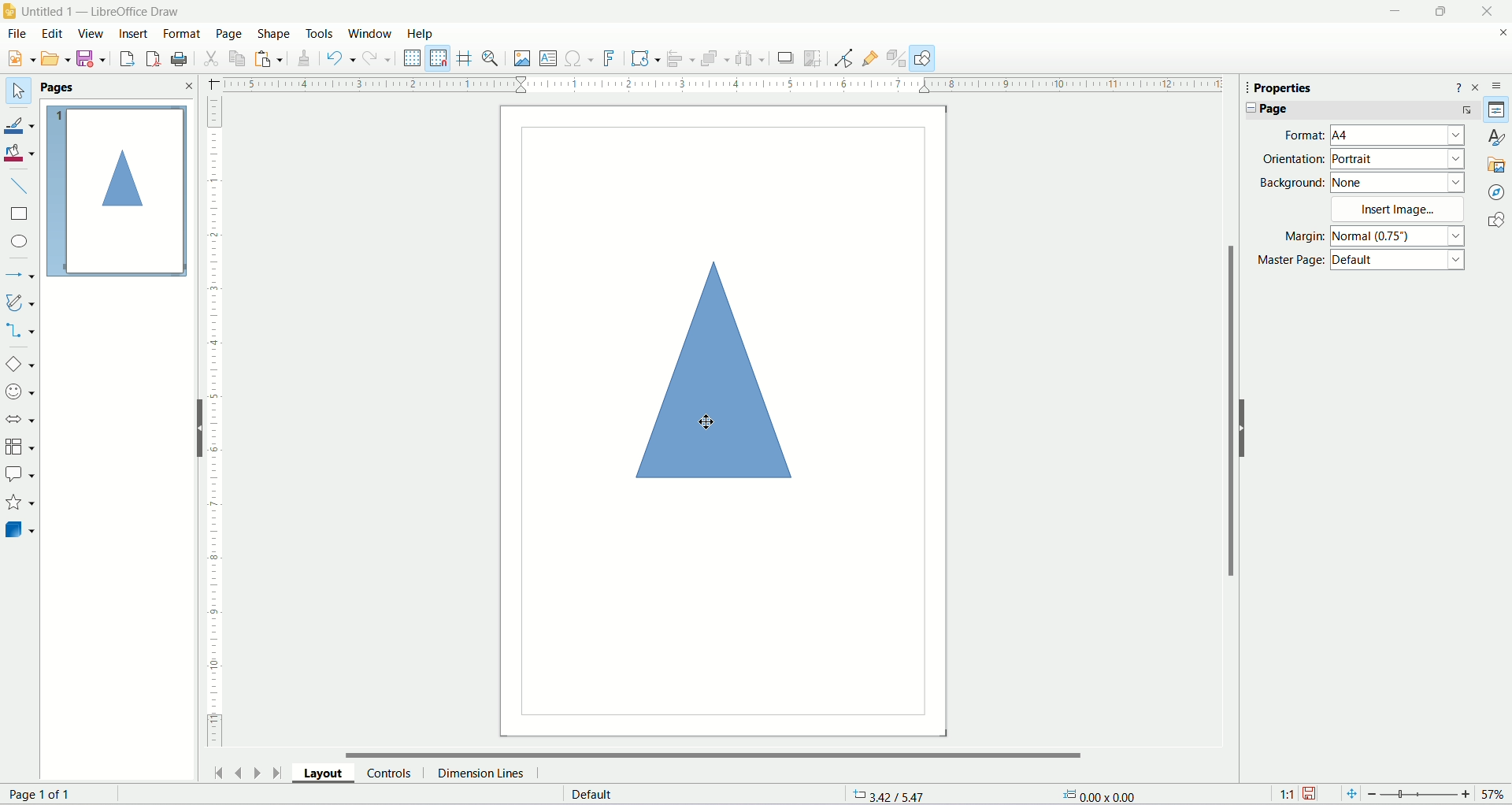 This screenshot has width=1512, height=805. What do you see at coordinates (606, 795) in the screenshot?
I see `Text` at bounding box center [606, 795].